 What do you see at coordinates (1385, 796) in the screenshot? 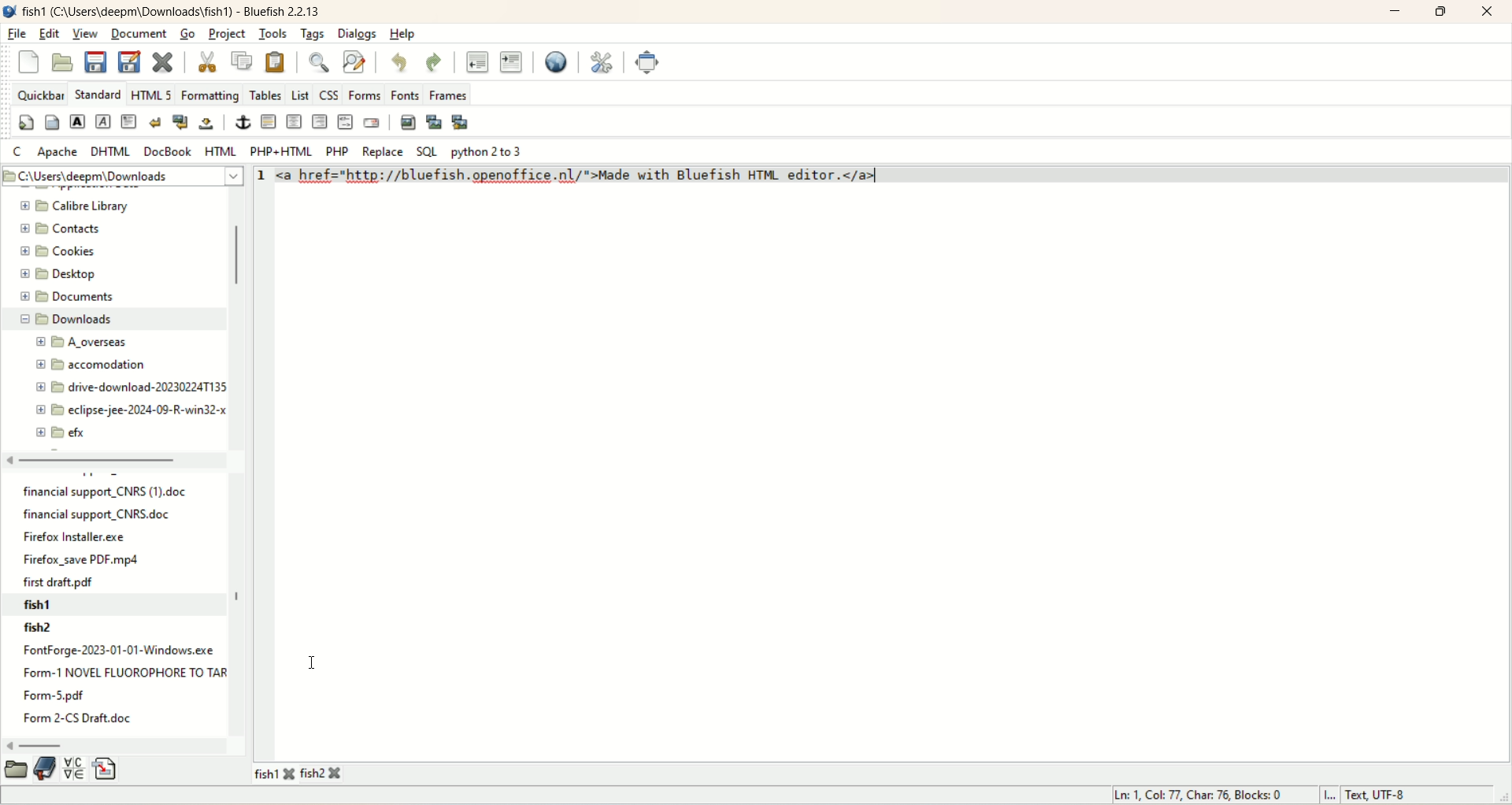
I see `text UTF-8` at bounding box center [1385, 796].